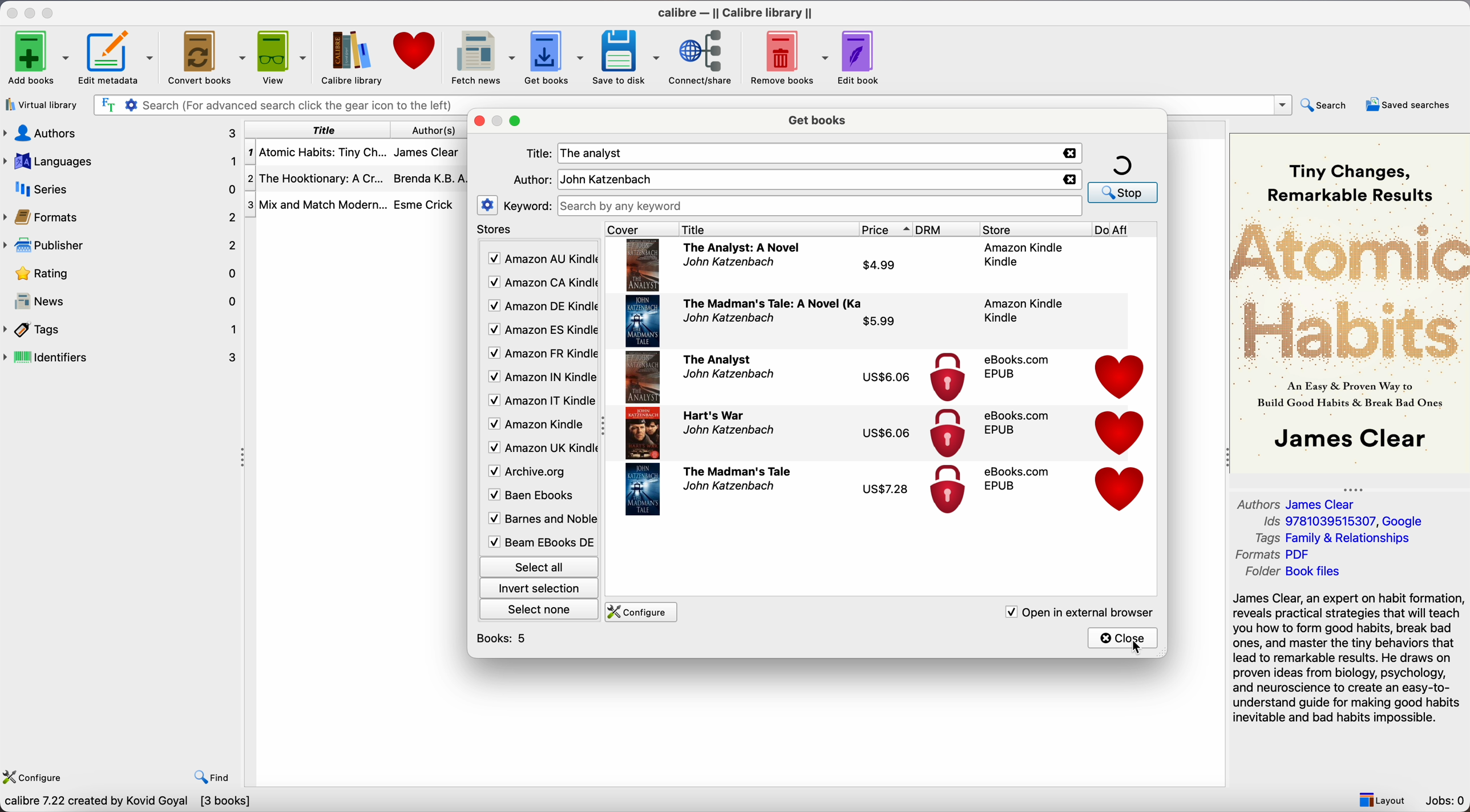 This screenshot has width=1470, height=812. What do you see at coordinates (1124, 639) in the screenshot?
I see `close` at bounding box center [1124, 639].